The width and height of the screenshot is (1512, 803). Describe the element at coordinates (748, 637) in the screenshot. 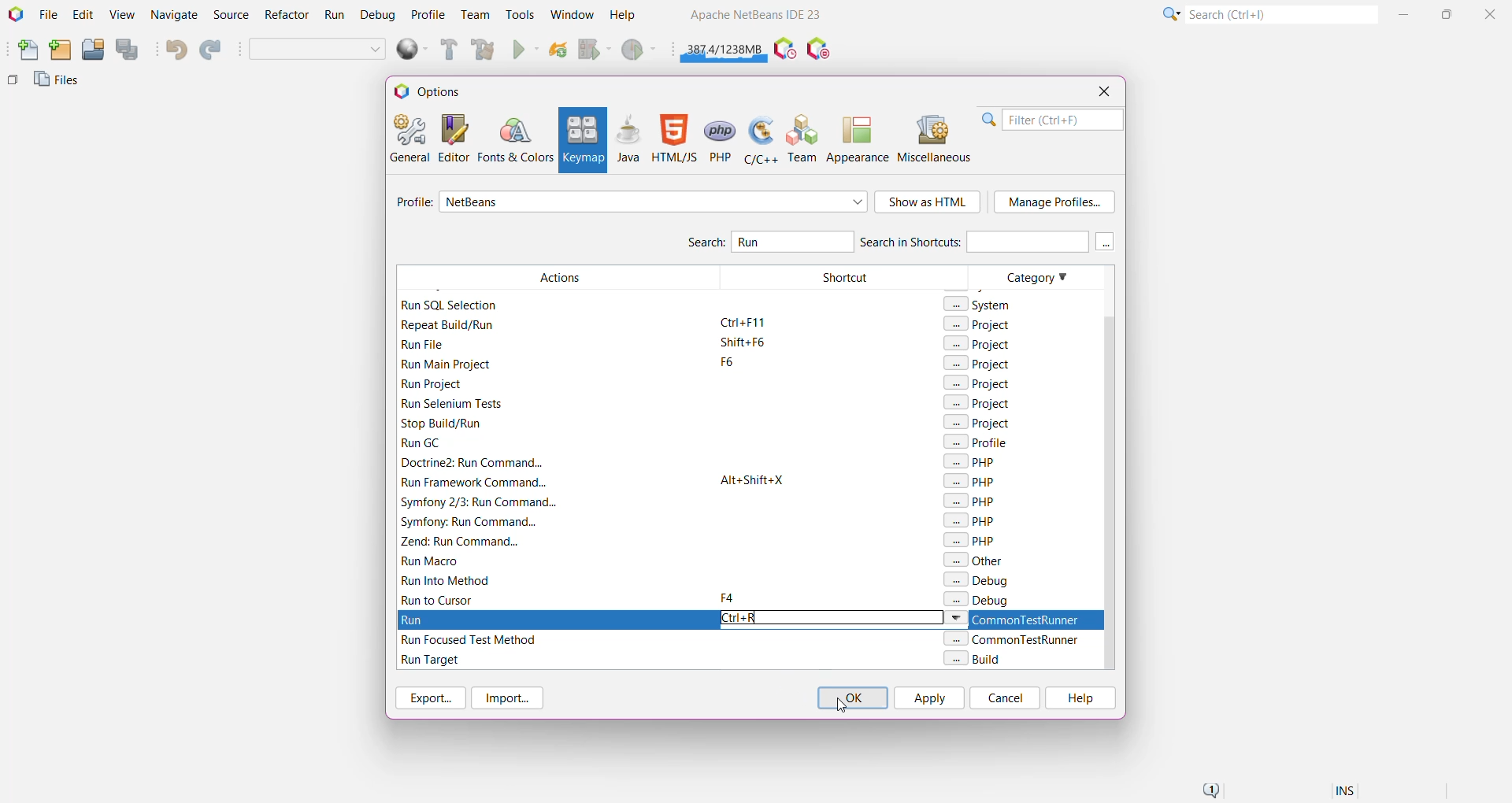

I see `Select the available shortcut option to set` at that location.